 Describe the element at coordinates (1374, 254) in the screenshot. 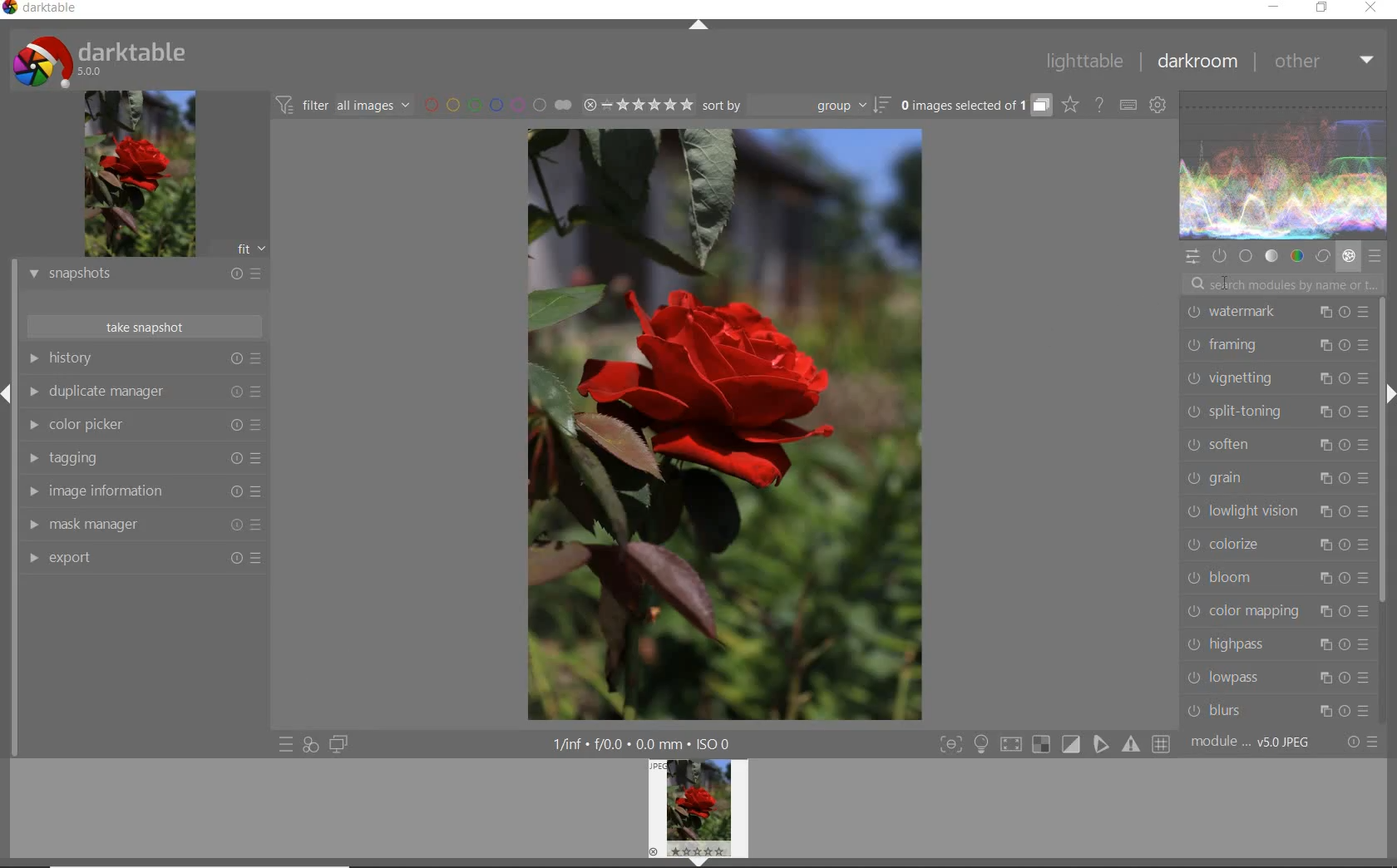

I see `presets` at that location.